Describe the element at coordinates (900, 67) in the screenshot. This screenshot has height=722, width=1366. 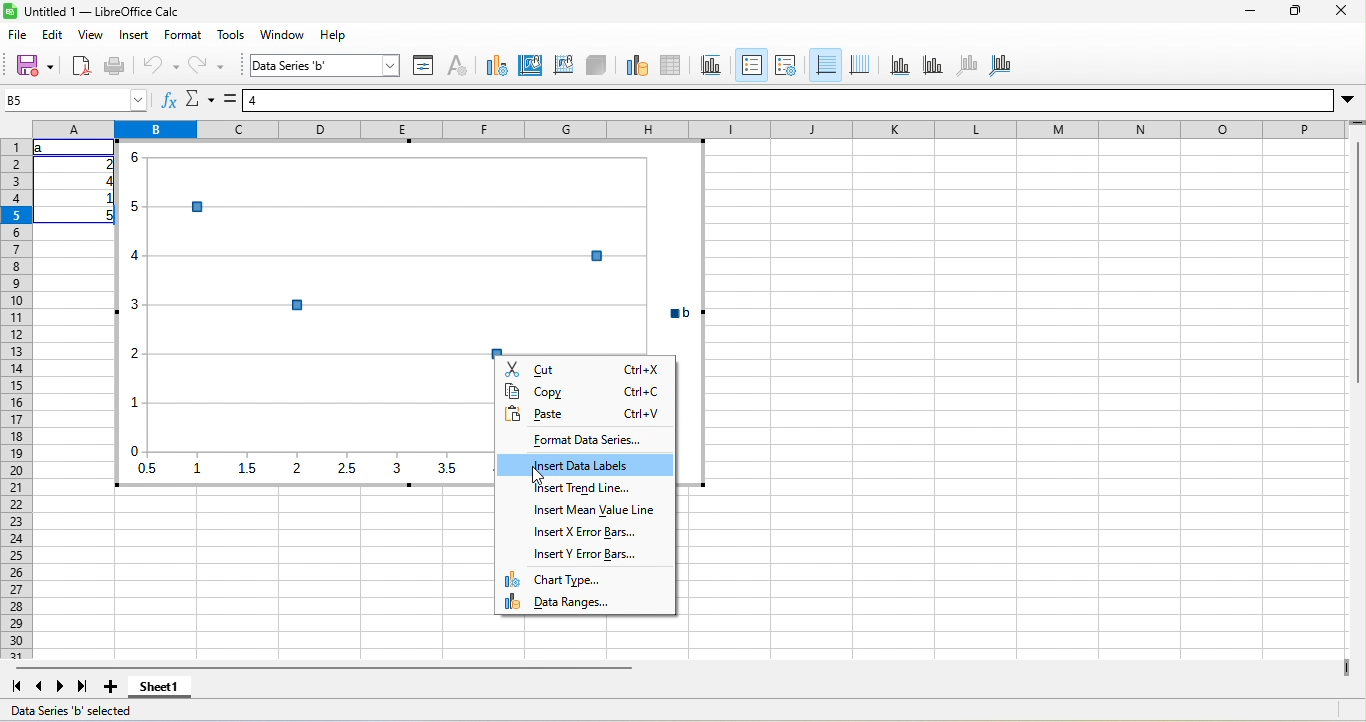
I see `x axis` at that location.